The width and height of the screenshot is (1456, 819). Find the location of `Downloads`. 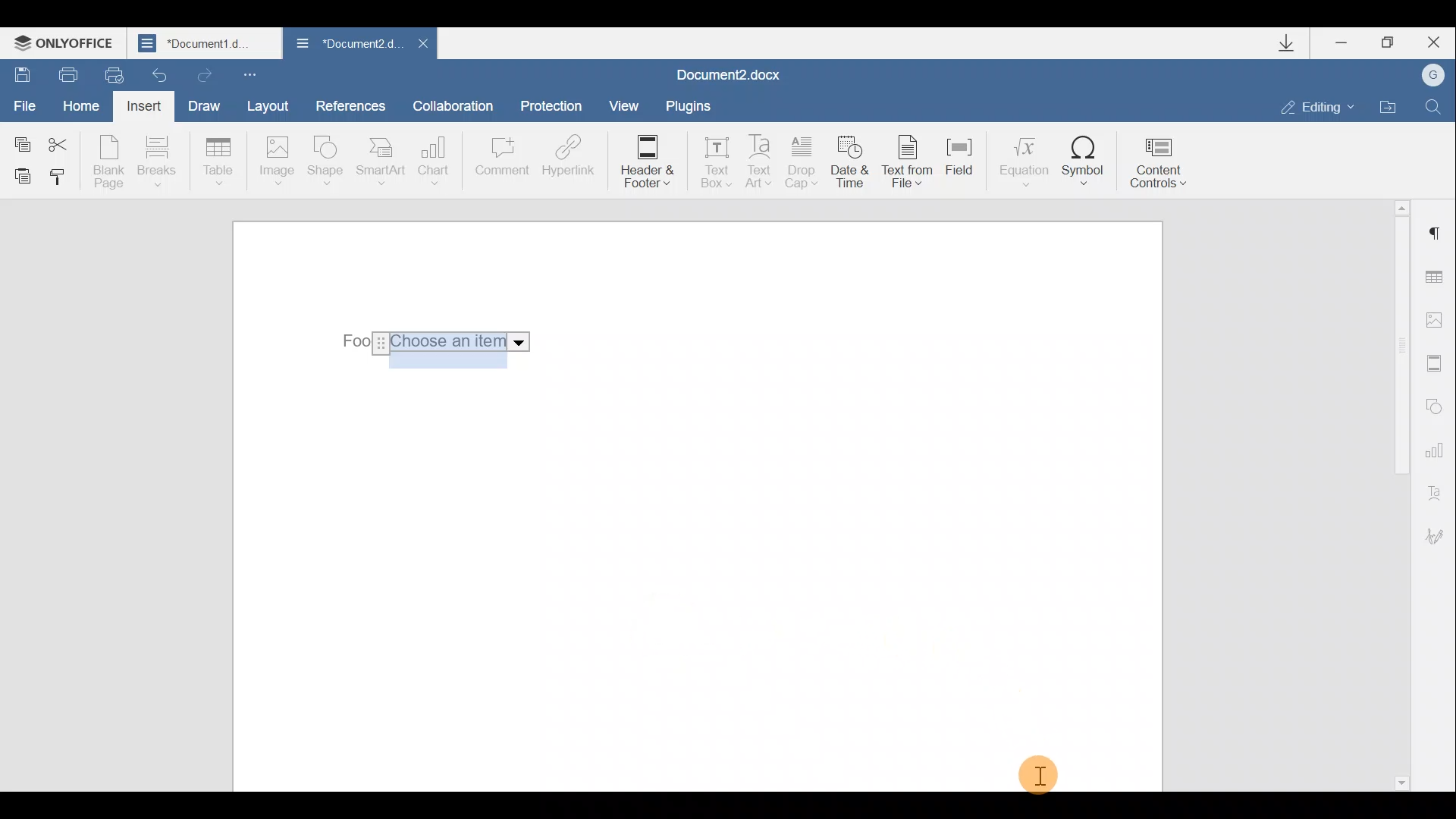

Downloads is located at coordinates (1292, 43).